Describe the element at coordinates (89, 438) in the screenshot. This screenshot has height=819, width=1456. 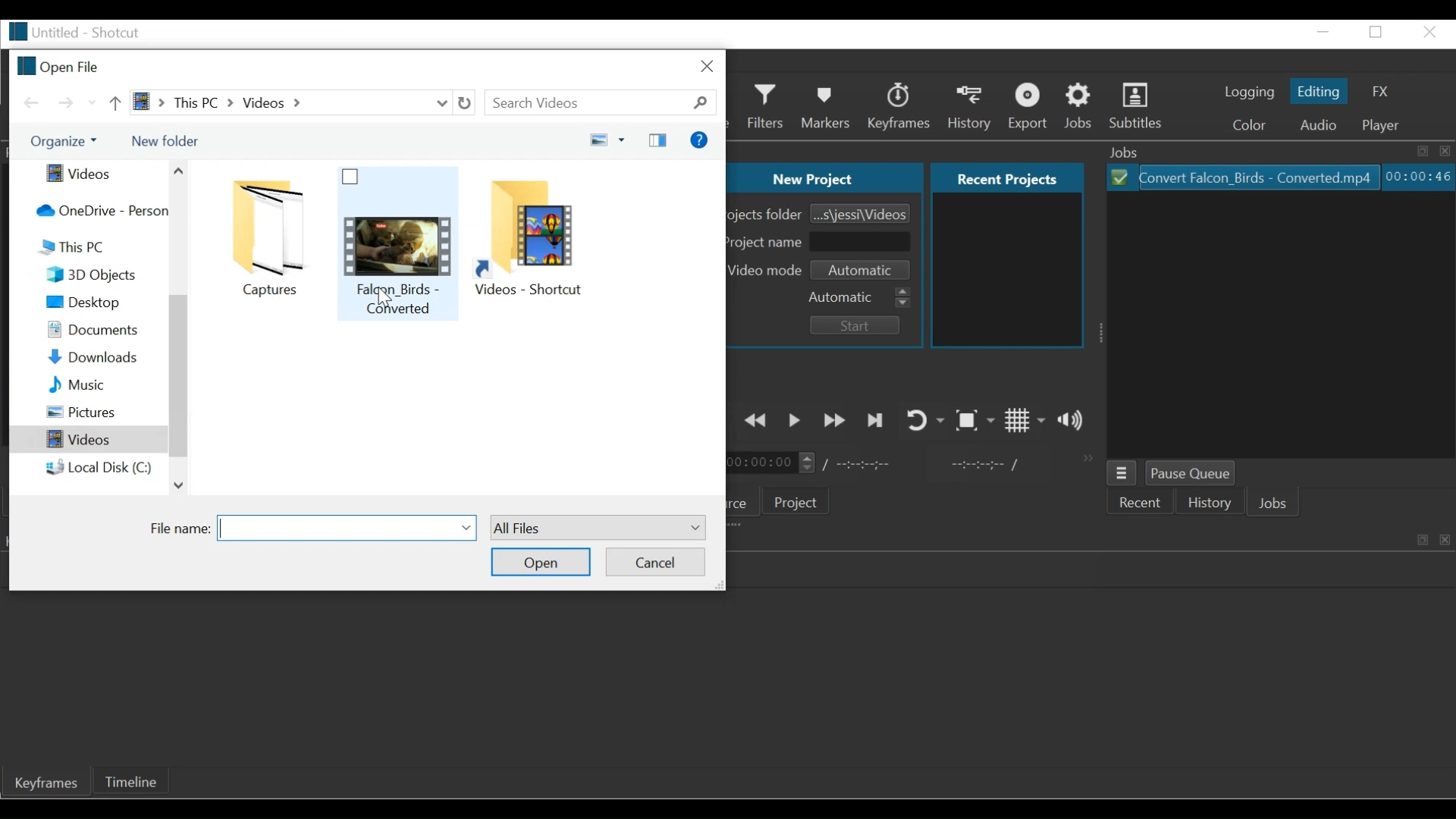
I see `Videos` at that location.